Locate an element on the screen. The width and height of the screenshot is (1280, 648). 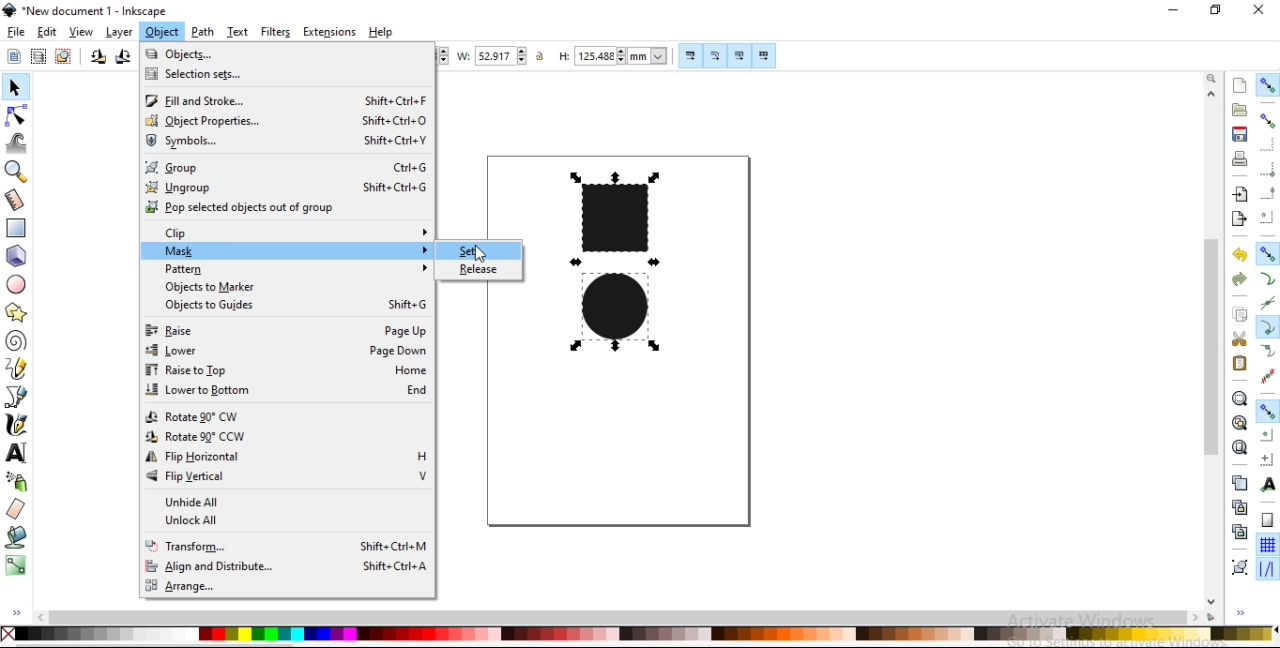
rotate 90 CW is located at coordinates (283, 416).